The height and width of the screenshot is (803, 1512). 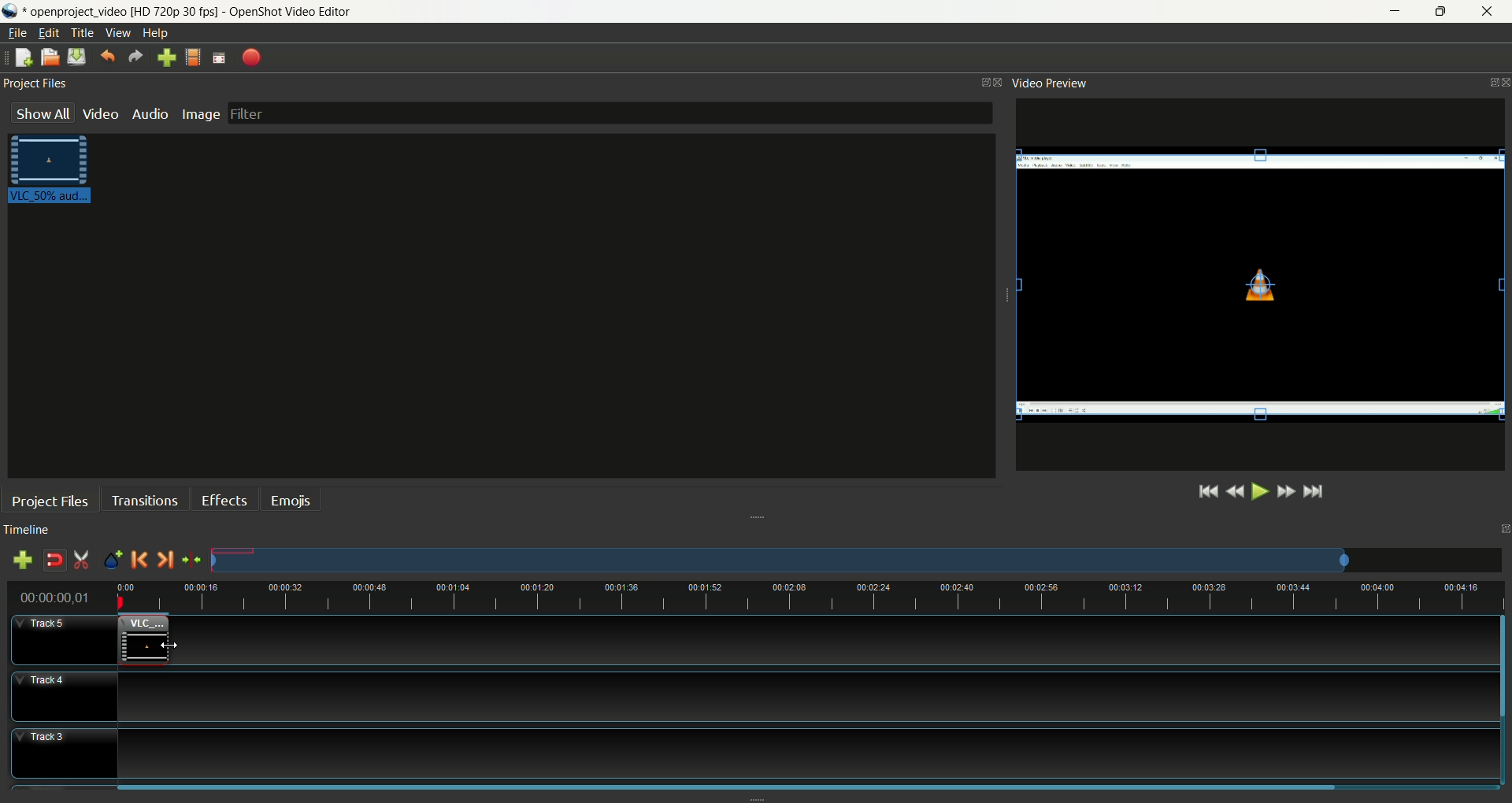 I want to click on jump to the end, so click(x=1315, y=493).